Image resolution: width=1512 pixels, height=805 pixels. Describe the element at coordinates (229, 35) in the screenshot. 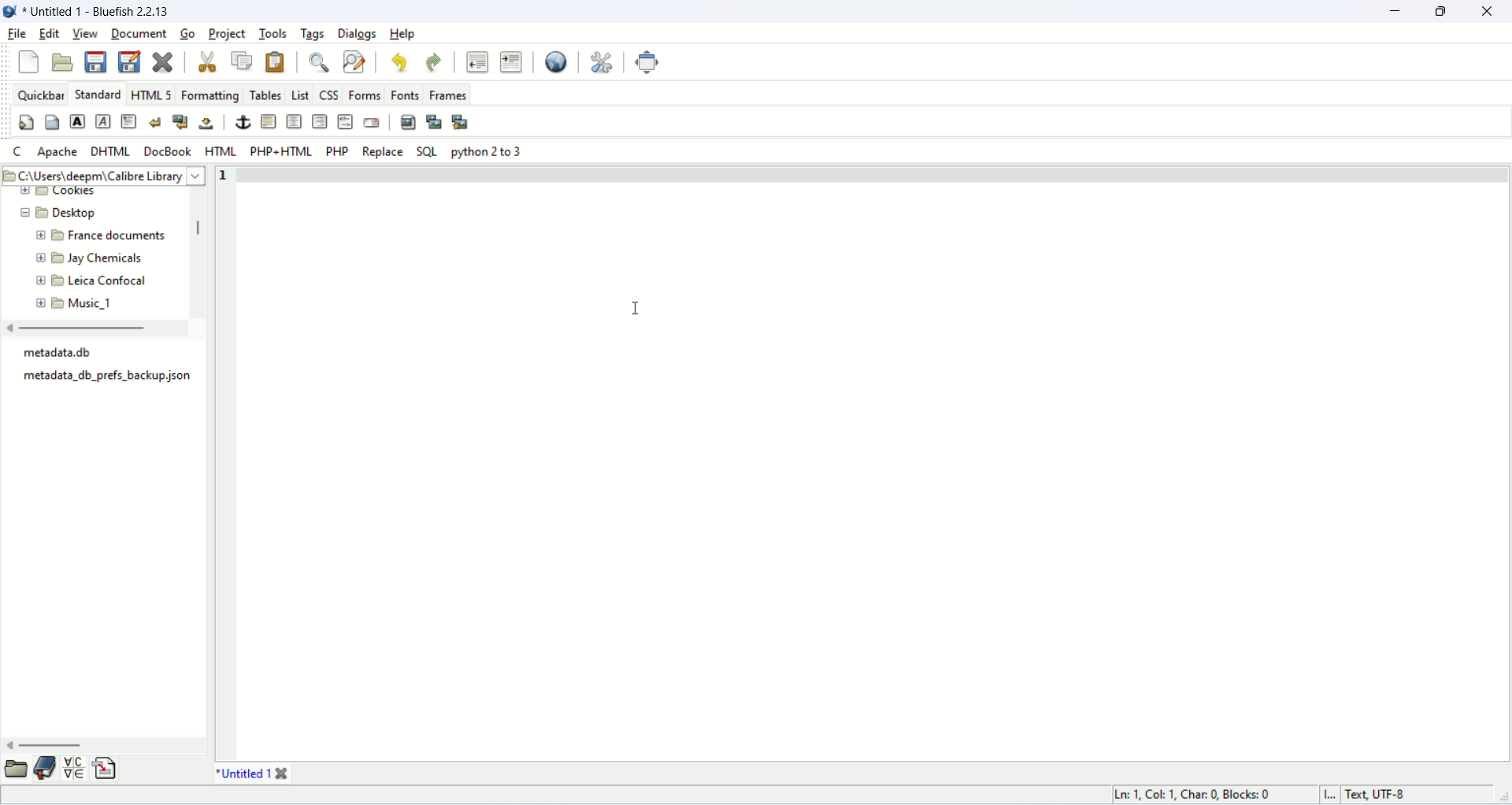

I see `project` at that location.